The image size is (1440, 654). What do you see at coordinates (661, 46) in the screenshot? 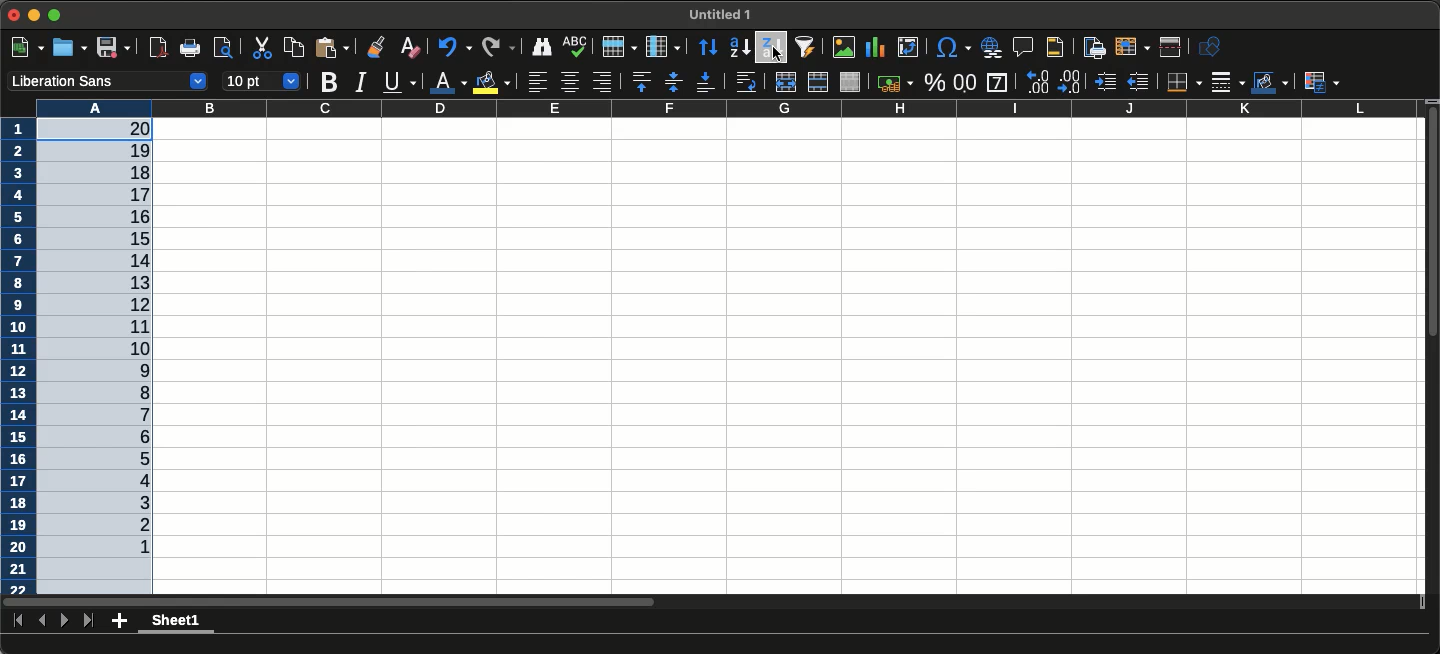
I see `Column` at bounding box center [661, 46].